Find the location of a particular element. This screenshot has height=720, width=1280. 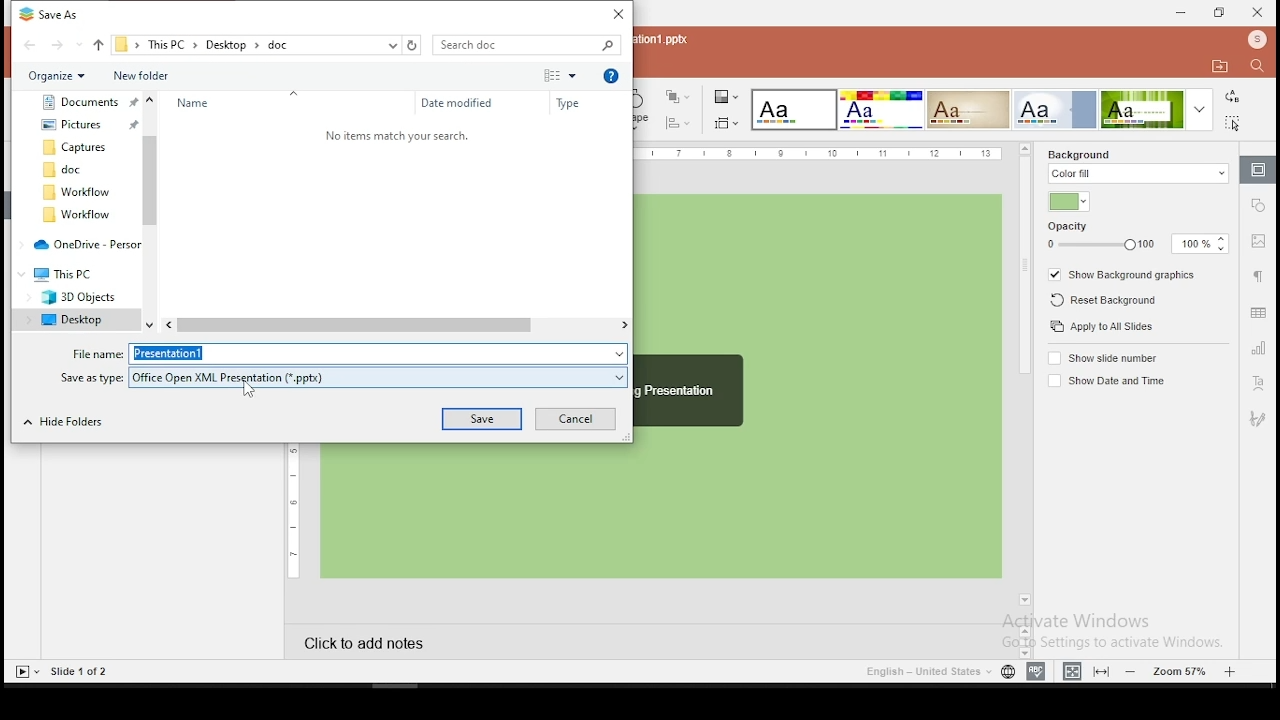

Signature settings is located at coordinates (1258, 420).